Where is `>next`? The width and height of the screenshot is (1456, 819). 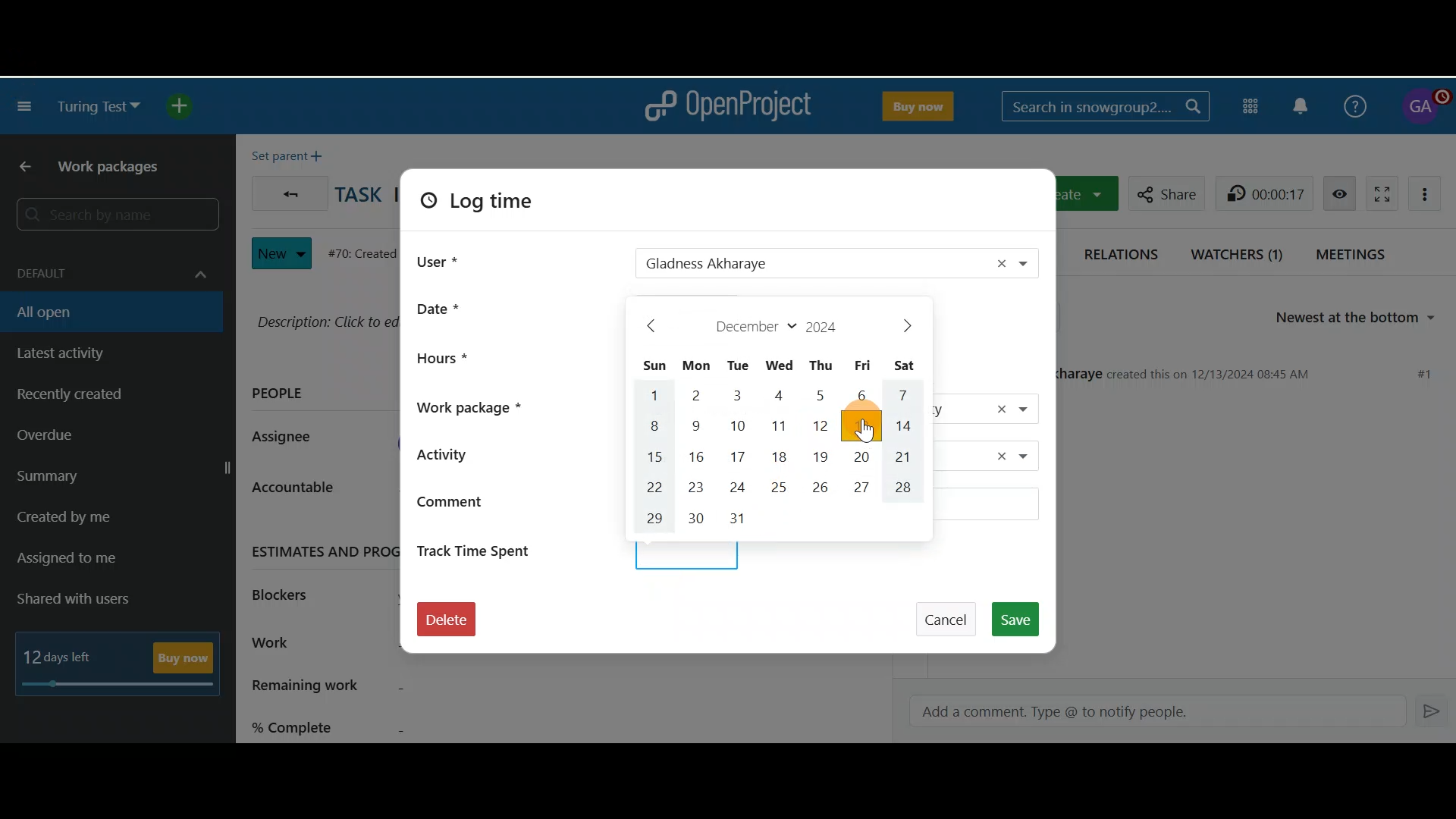
>next is located at coordinates (907, 325).